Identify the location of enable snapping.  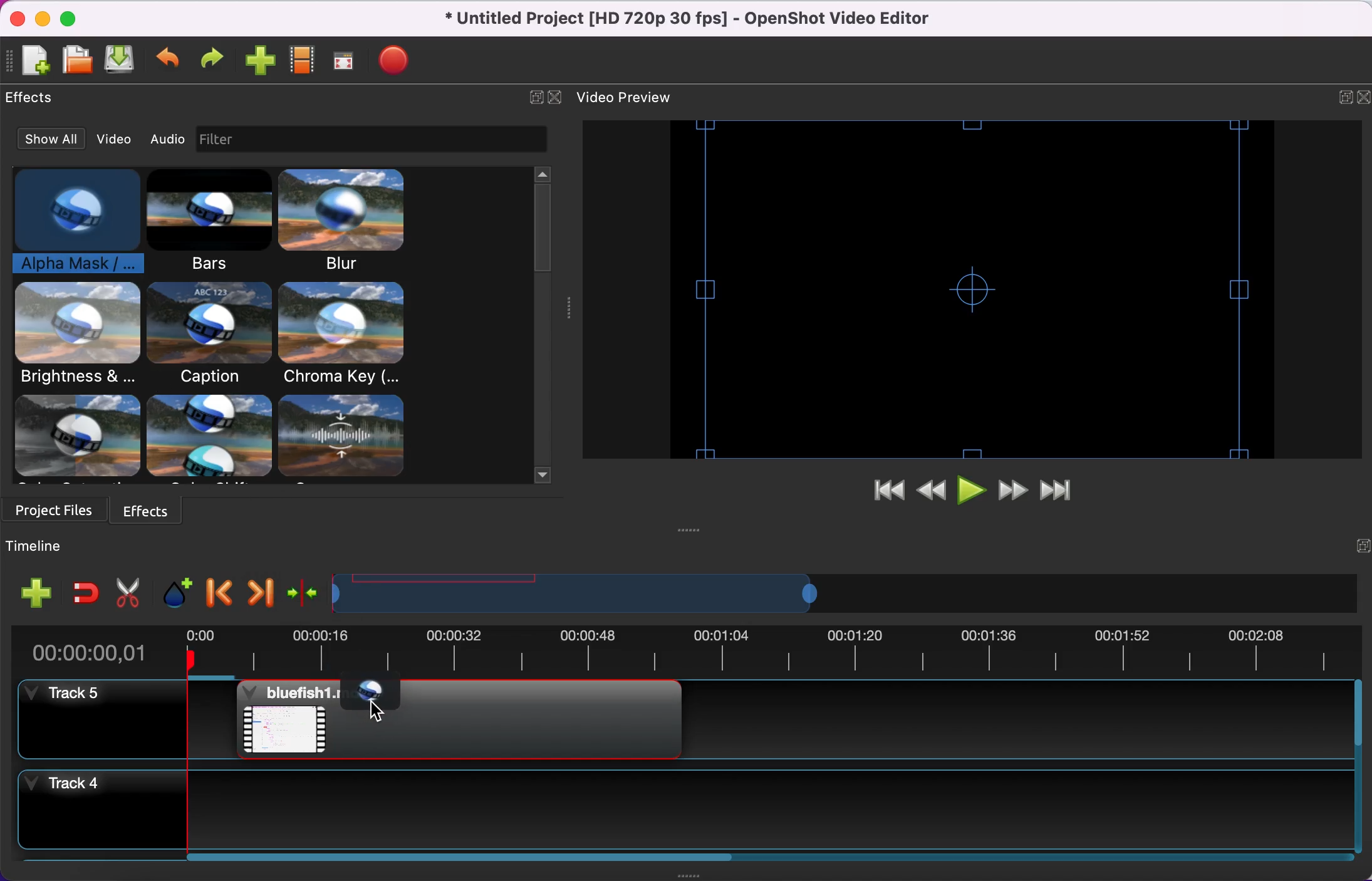
(83, 594).